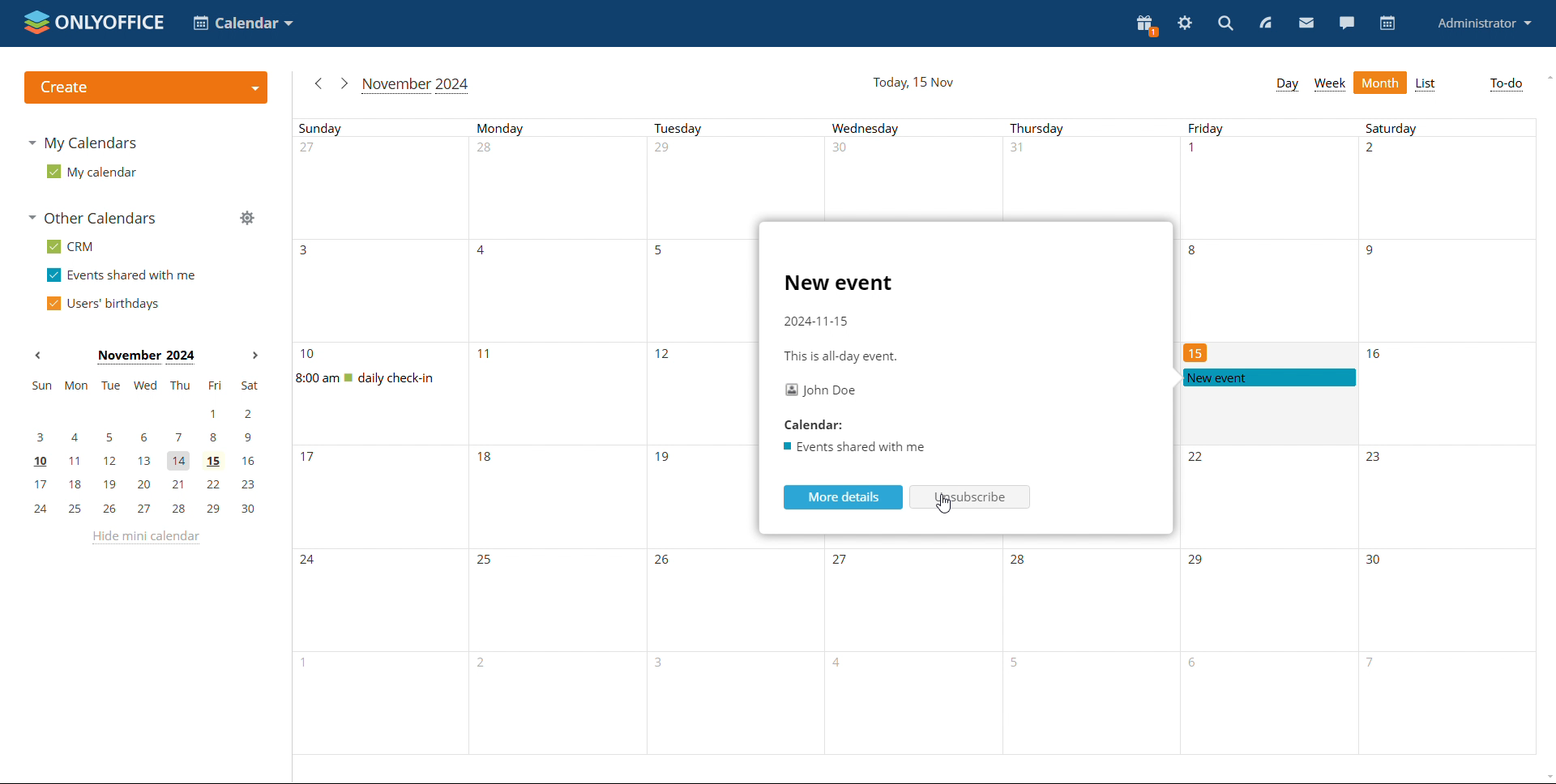 The width and height of the screenshot is (1556, 784). Describe the element at coordinates (319, 82) in the screenshot. I see `previous month` at that location.